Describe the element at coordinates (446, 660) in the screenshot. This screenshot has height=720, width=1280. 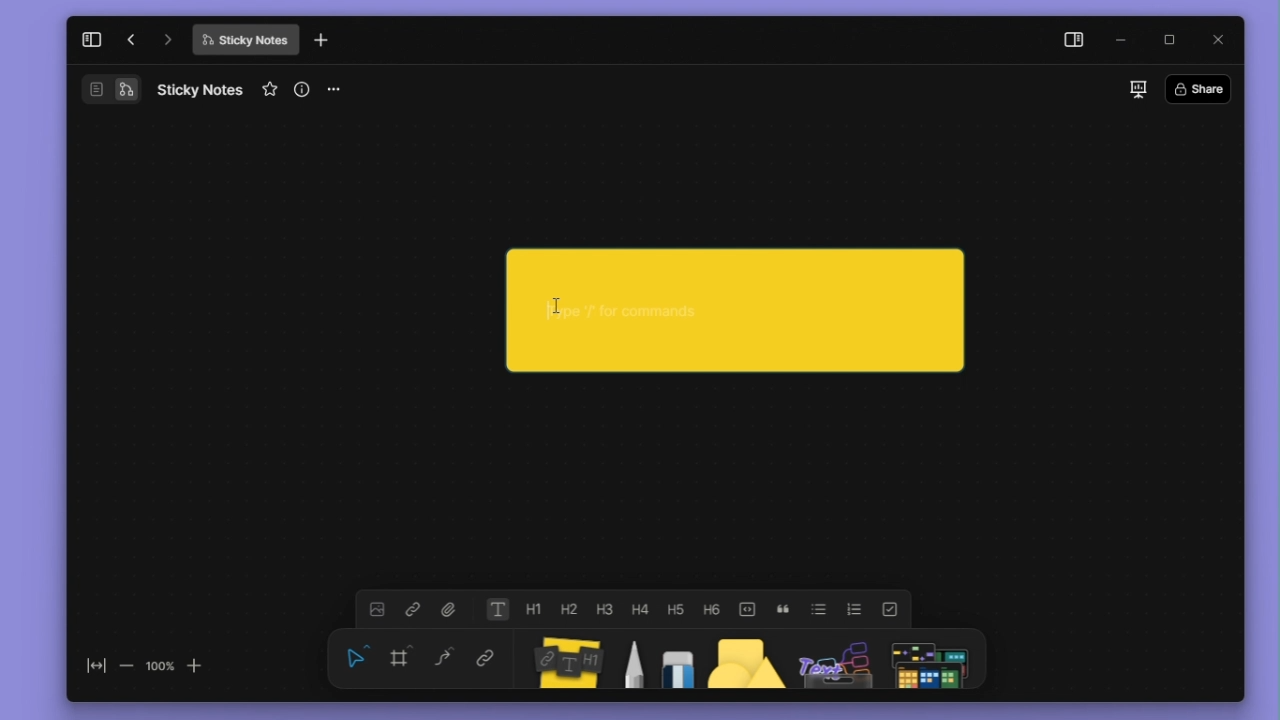
I see `curve` at that location.